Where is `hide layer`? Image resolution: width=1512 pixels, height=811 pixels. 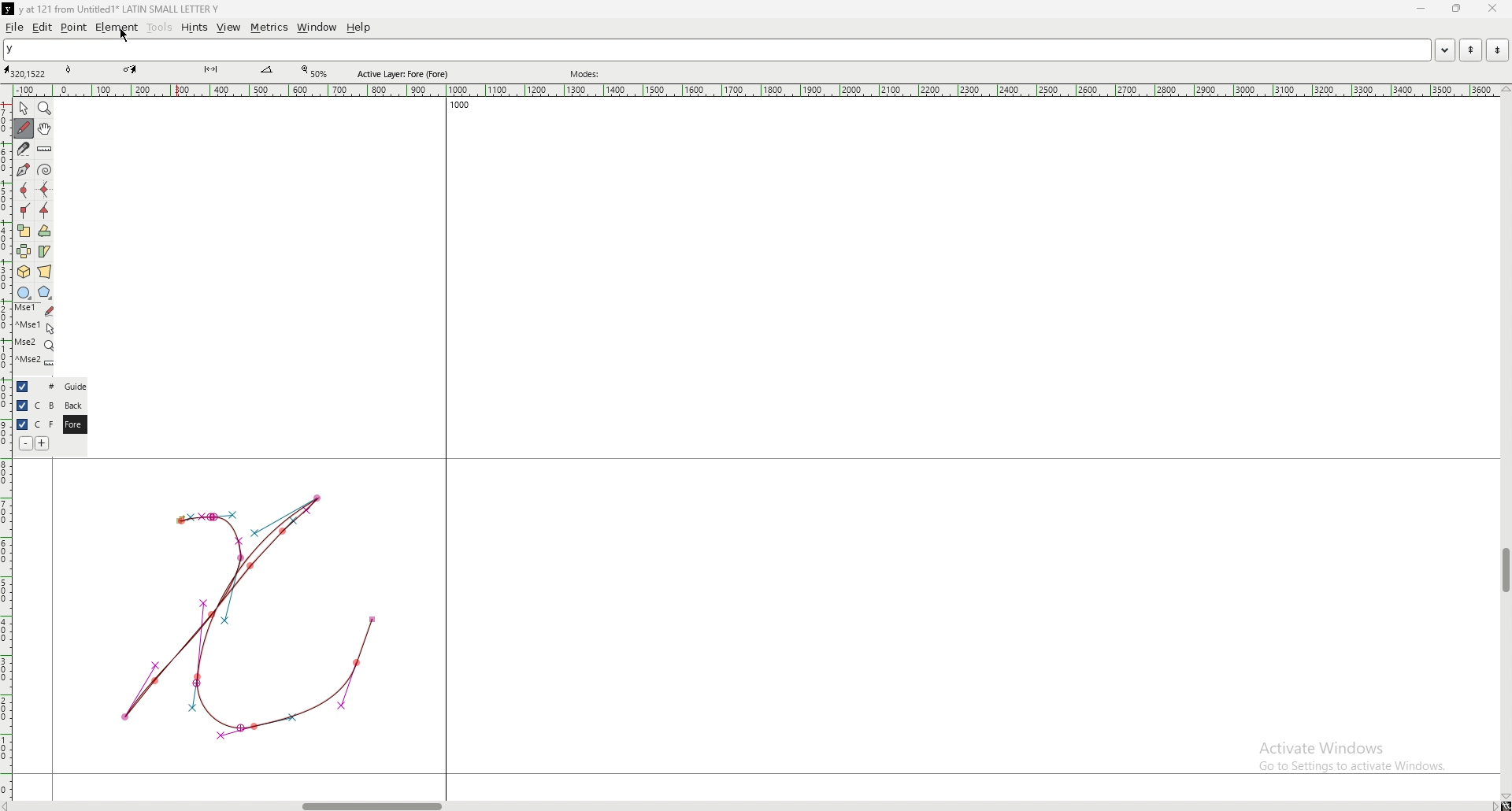 hide layer is located at coordinates (23, 387).